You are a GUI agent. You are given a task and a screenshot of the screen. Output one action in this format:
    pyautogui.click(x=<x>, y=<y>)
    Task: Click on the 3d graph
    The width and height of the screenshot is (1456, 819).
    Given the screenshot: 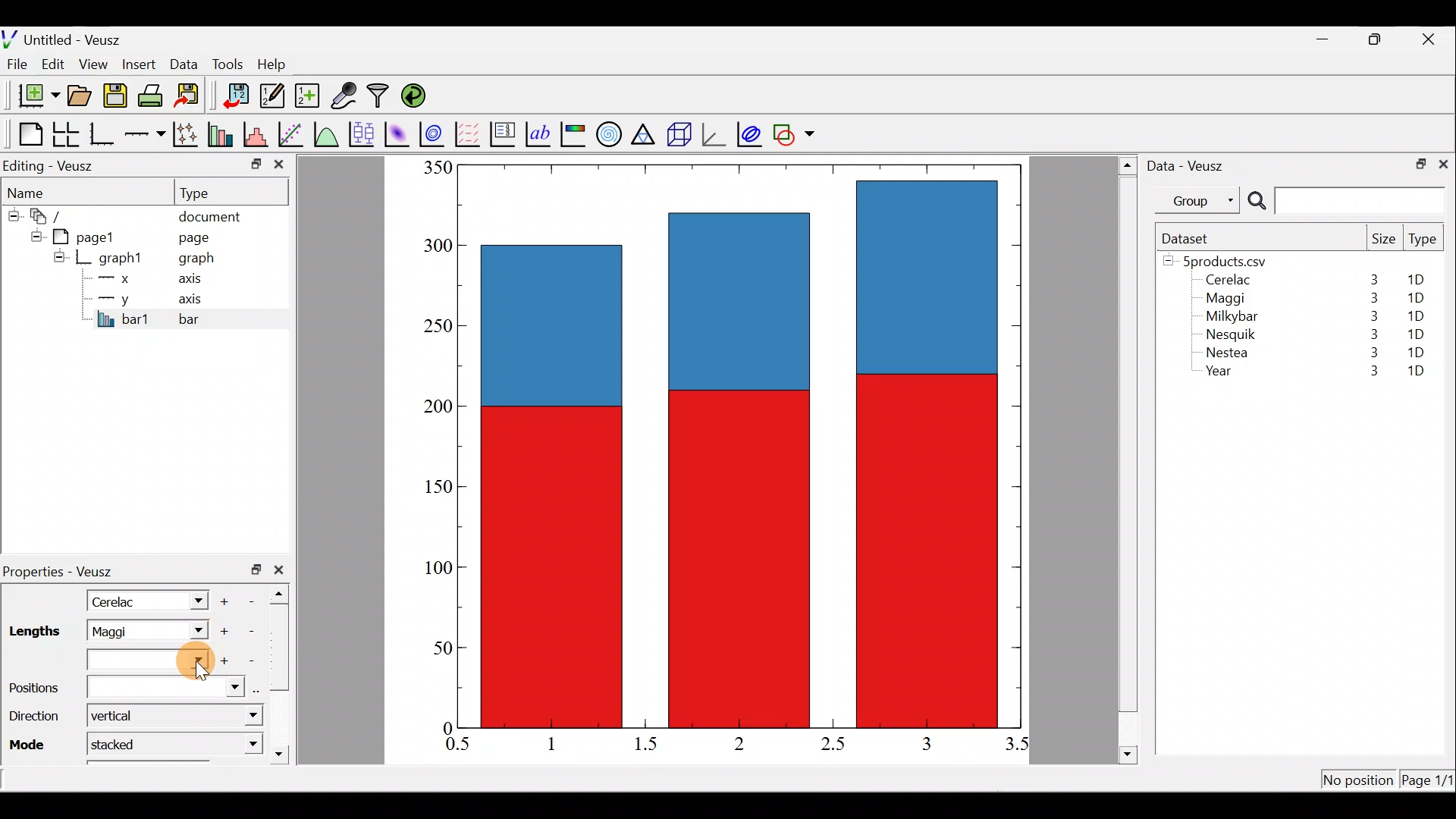 What is the action you would take?
    pyautogui.click(x=714, y=133)
    